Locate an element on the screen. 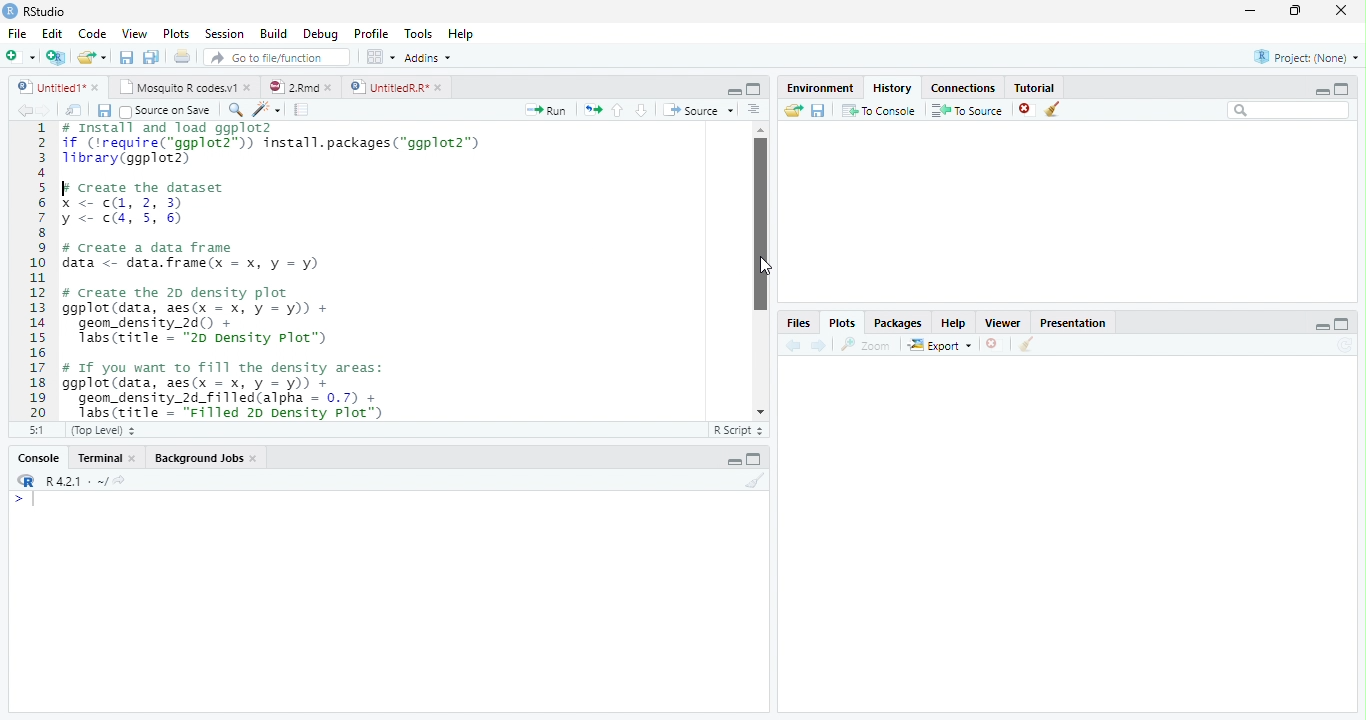 The width and height of the screenshot is (1366, 720). show in window is located at coordinates (75, 111).